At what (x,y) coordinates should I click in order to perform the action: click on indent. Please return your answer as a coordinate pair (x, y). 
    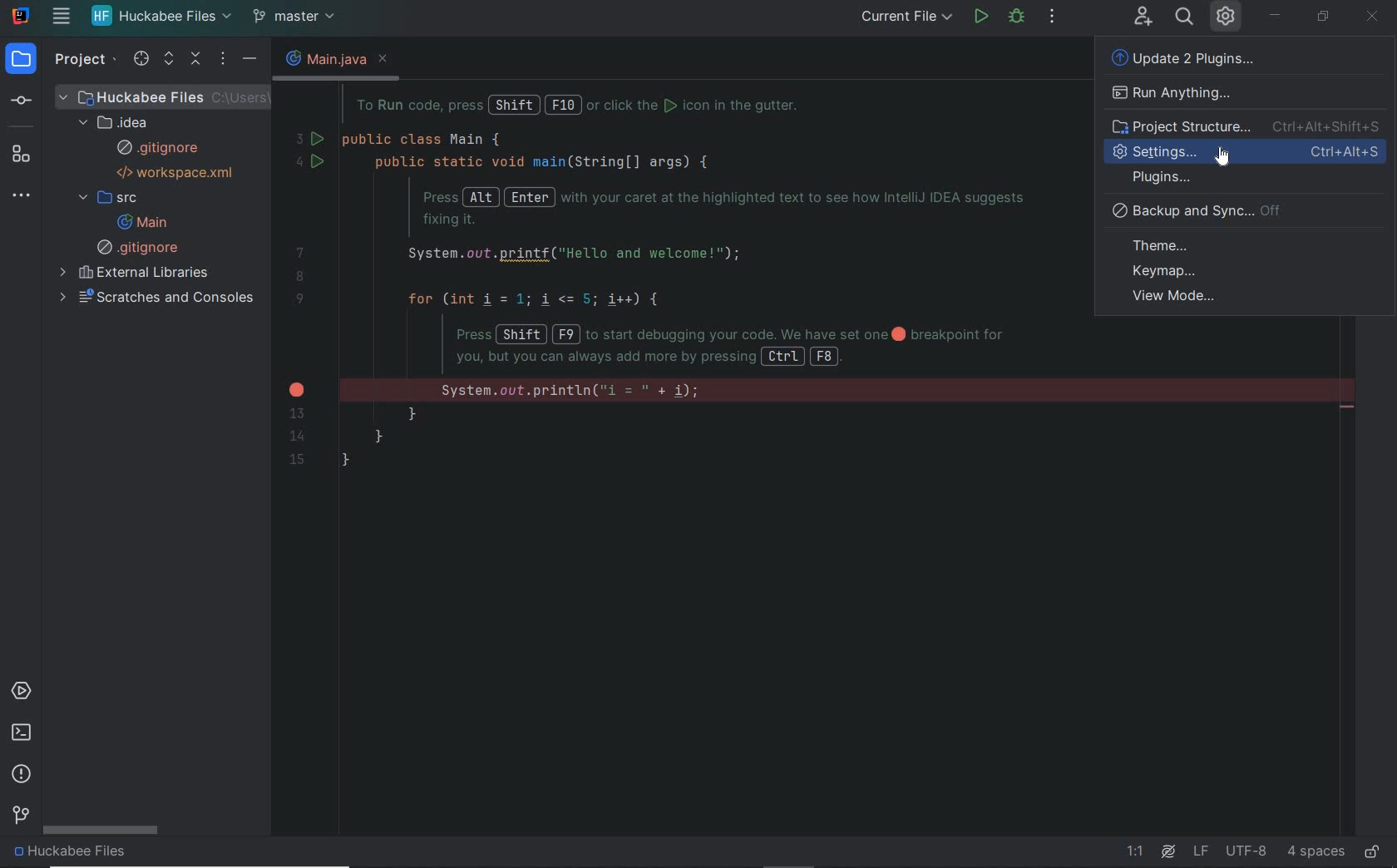
    Looking at the image, I should click on (1316, 851).